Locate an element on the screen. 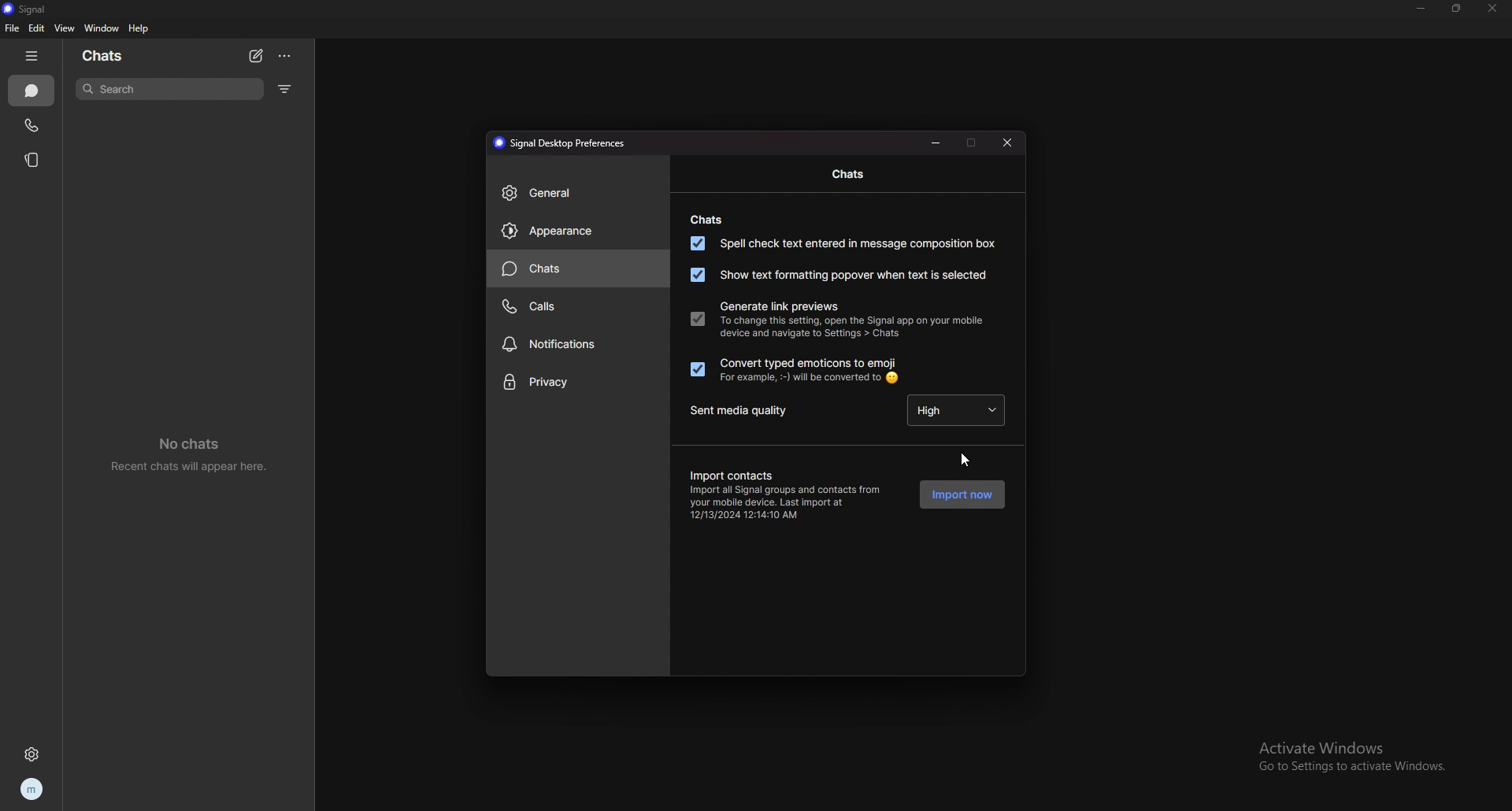 The width and height of the screenshot is (1512, 811). profile is located at coordinates (34, 789).